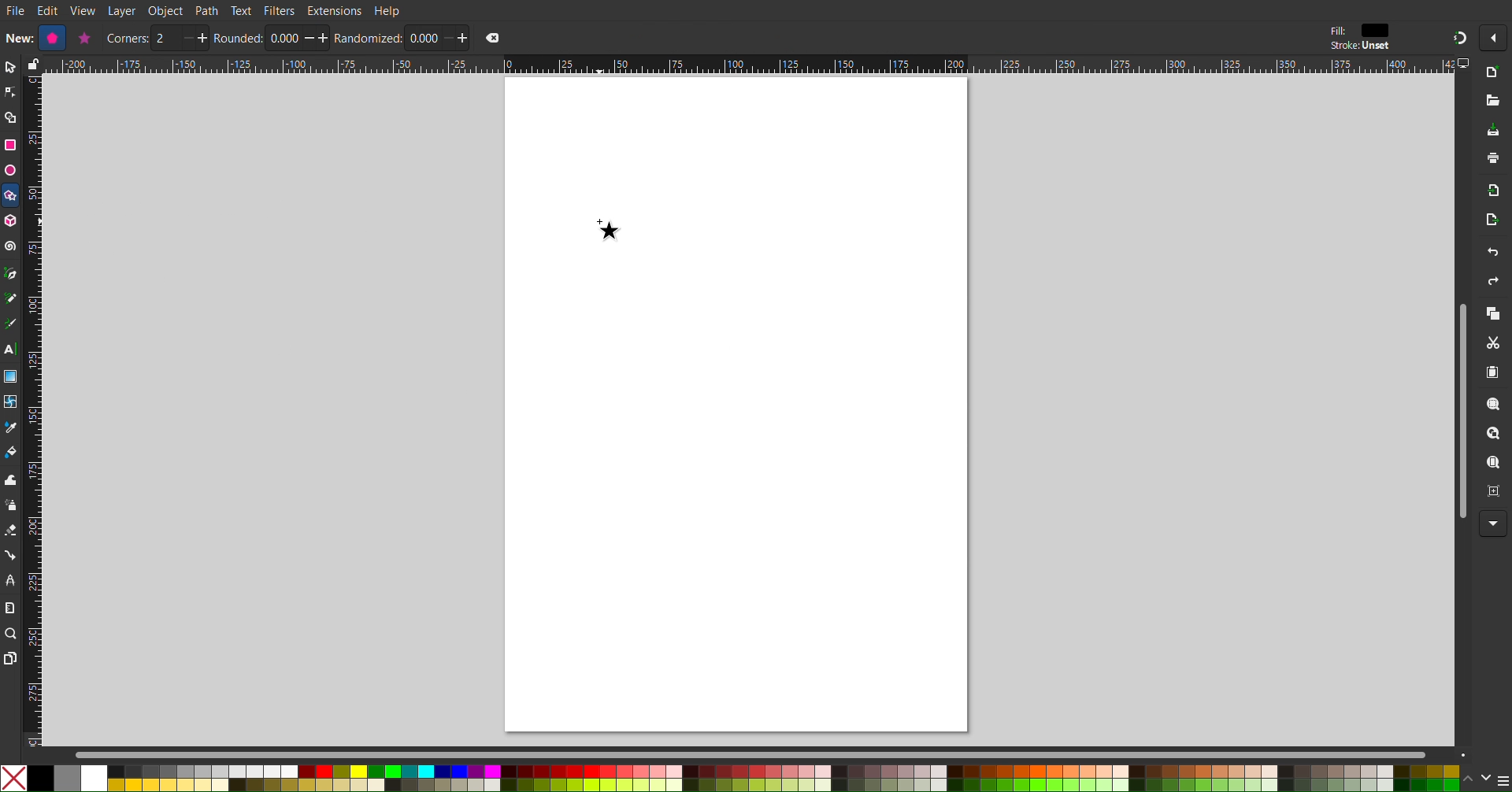 This screenshot has height=792, width=1512. Describe the element at coordinates (1494, 102) in the screenshot. I see `Open` at that location.